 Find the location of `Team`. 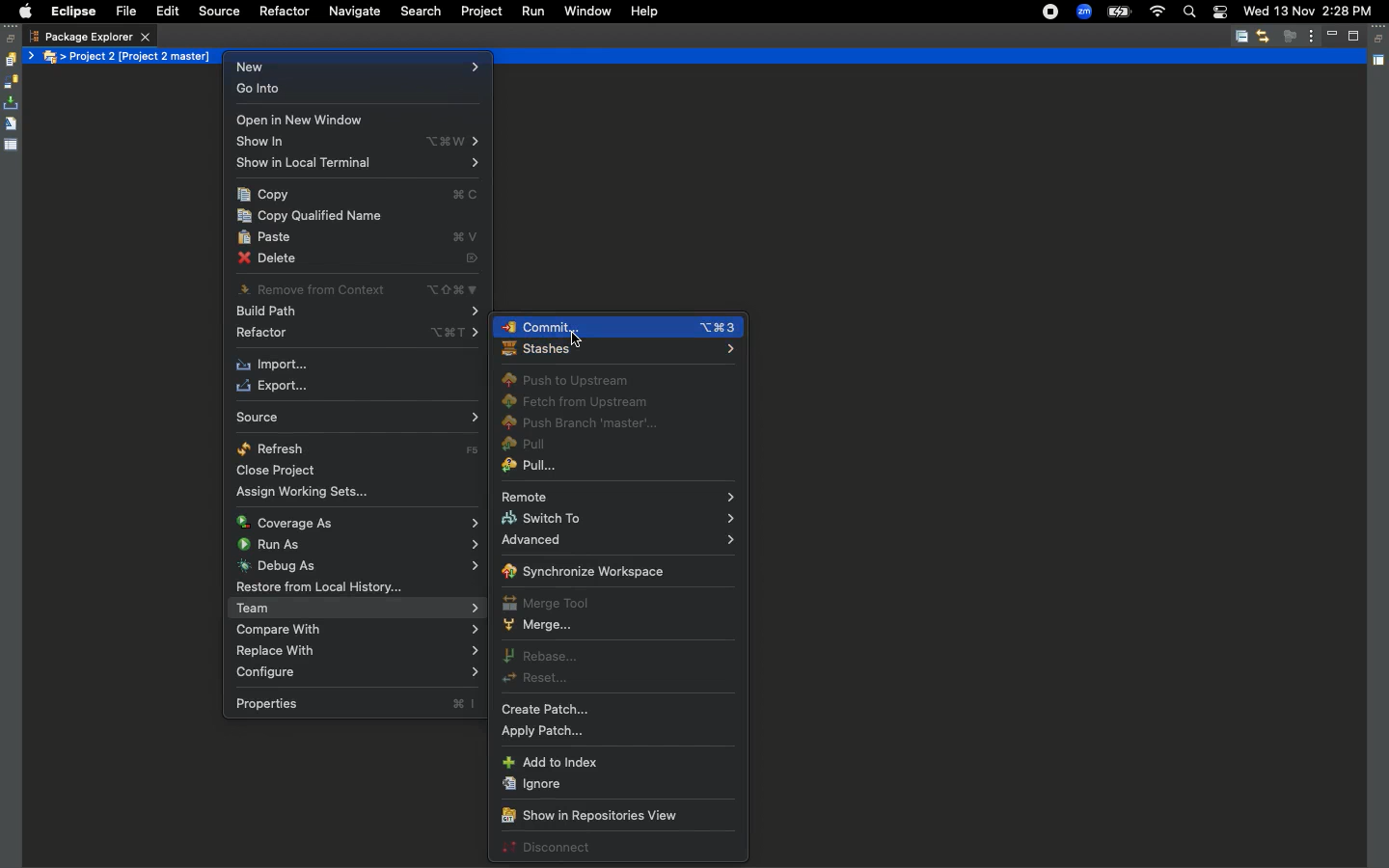

Team is located at coordinates (358, 609).